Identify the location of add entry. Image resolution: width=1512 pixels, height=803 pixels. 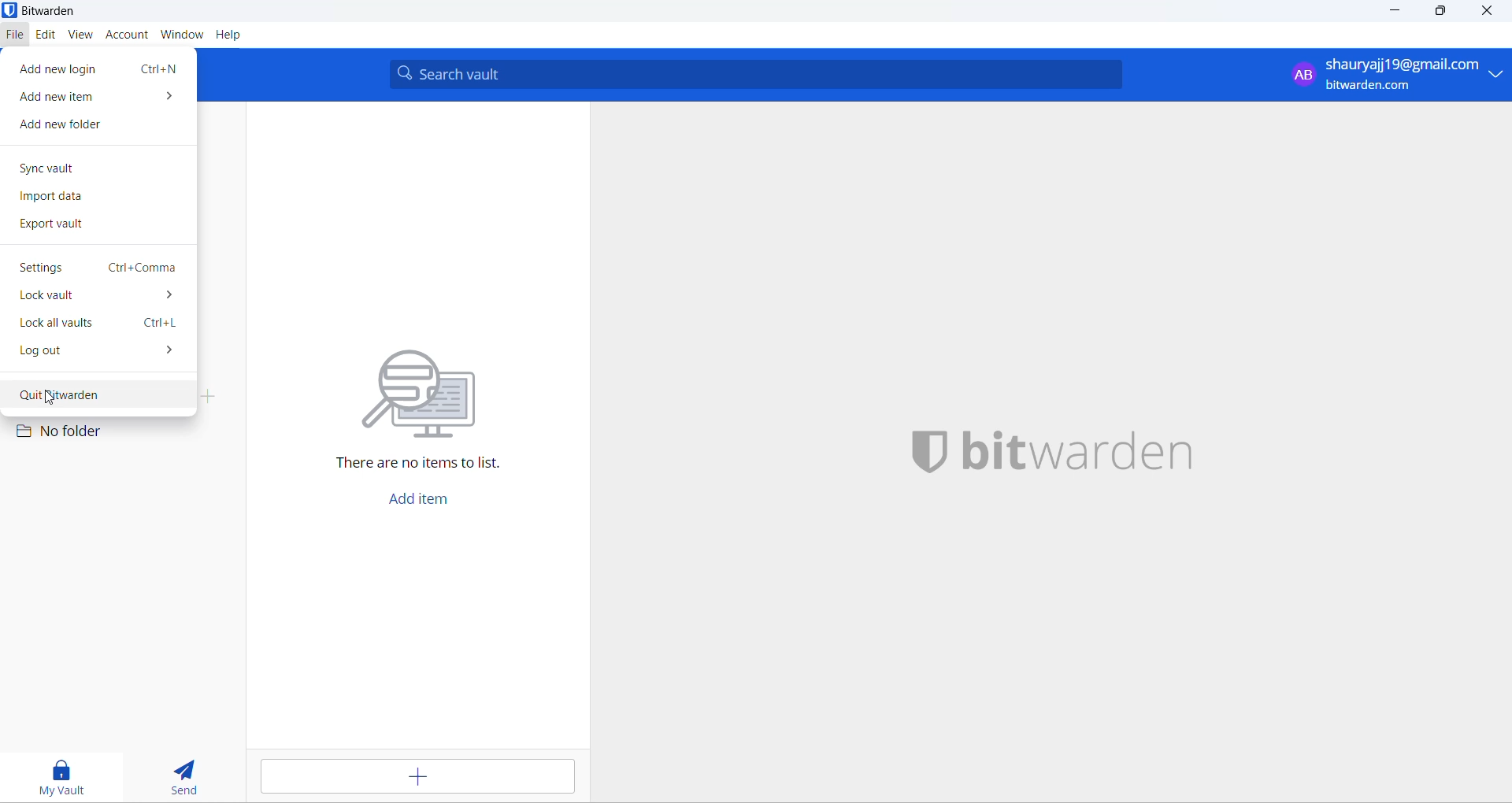
(424, 778).